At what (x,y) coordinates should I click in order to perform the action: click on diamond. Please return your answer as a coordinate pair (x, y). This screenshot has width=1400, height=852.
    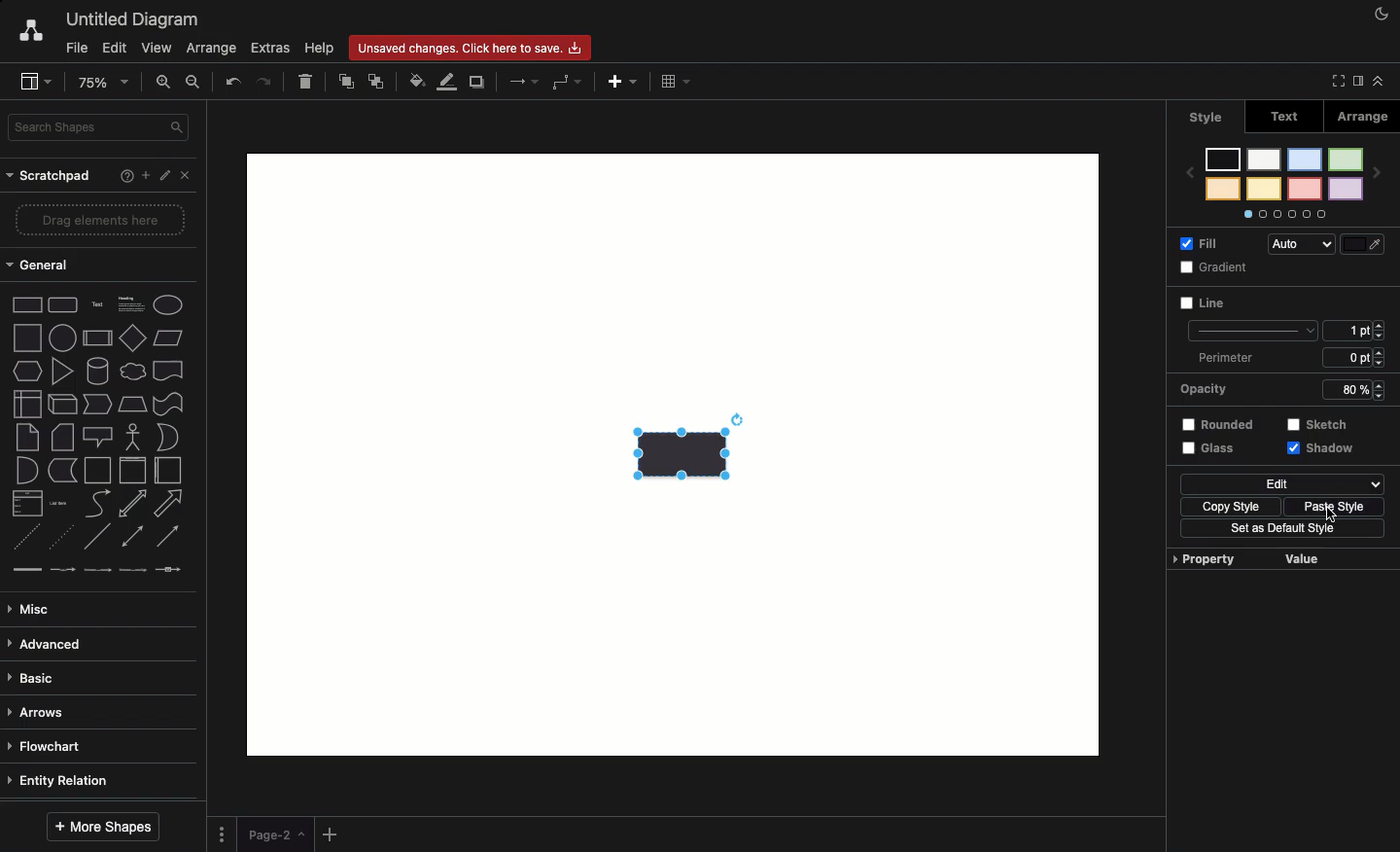
    Looking at the image, I should click on (131, 339).